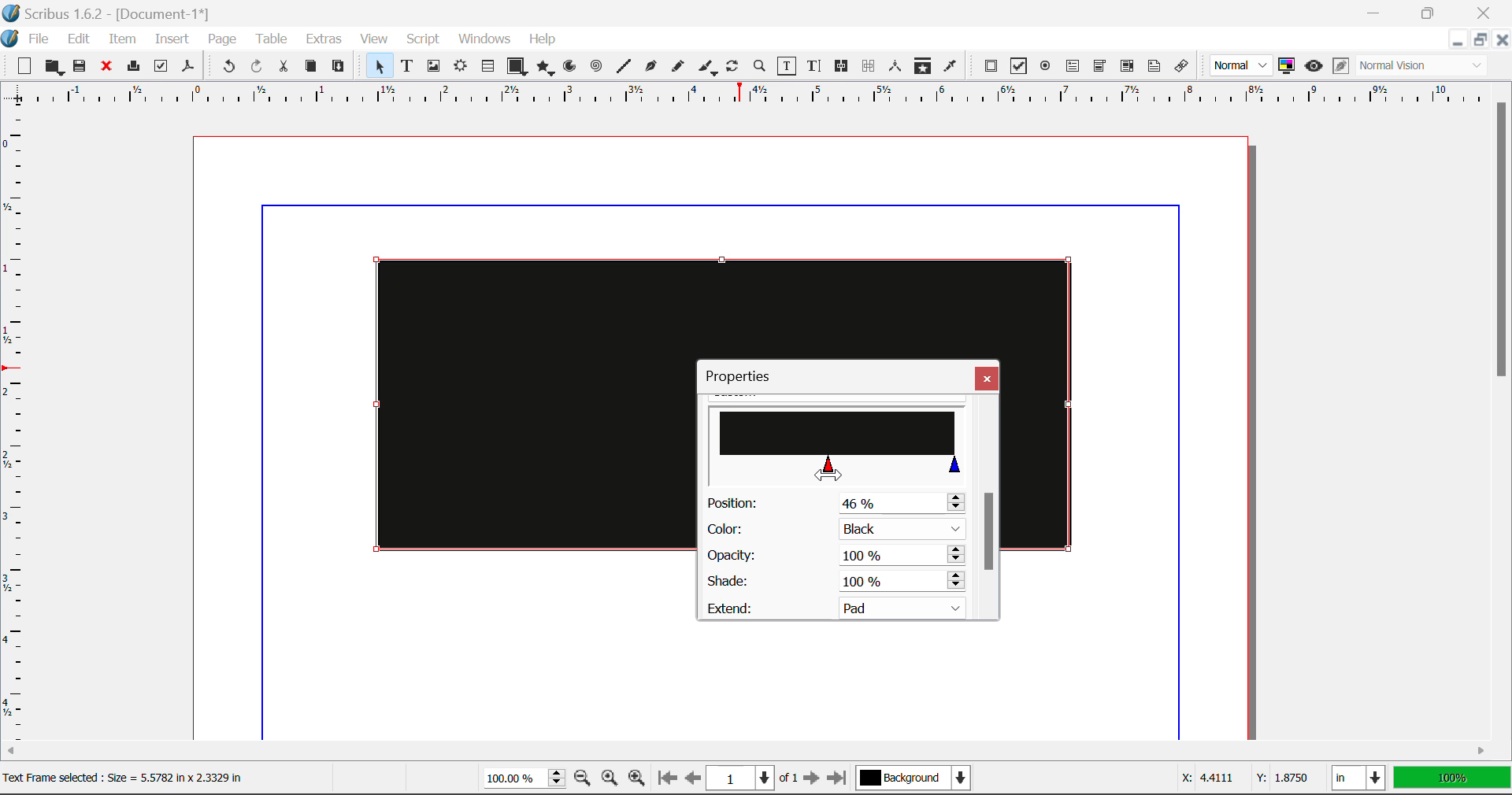 The height and width of the screenshot is (795, 1512). What do you see at coordinates (1501, 39) in the screenshot?
I see `Close` at bounding box center [1501, 39].